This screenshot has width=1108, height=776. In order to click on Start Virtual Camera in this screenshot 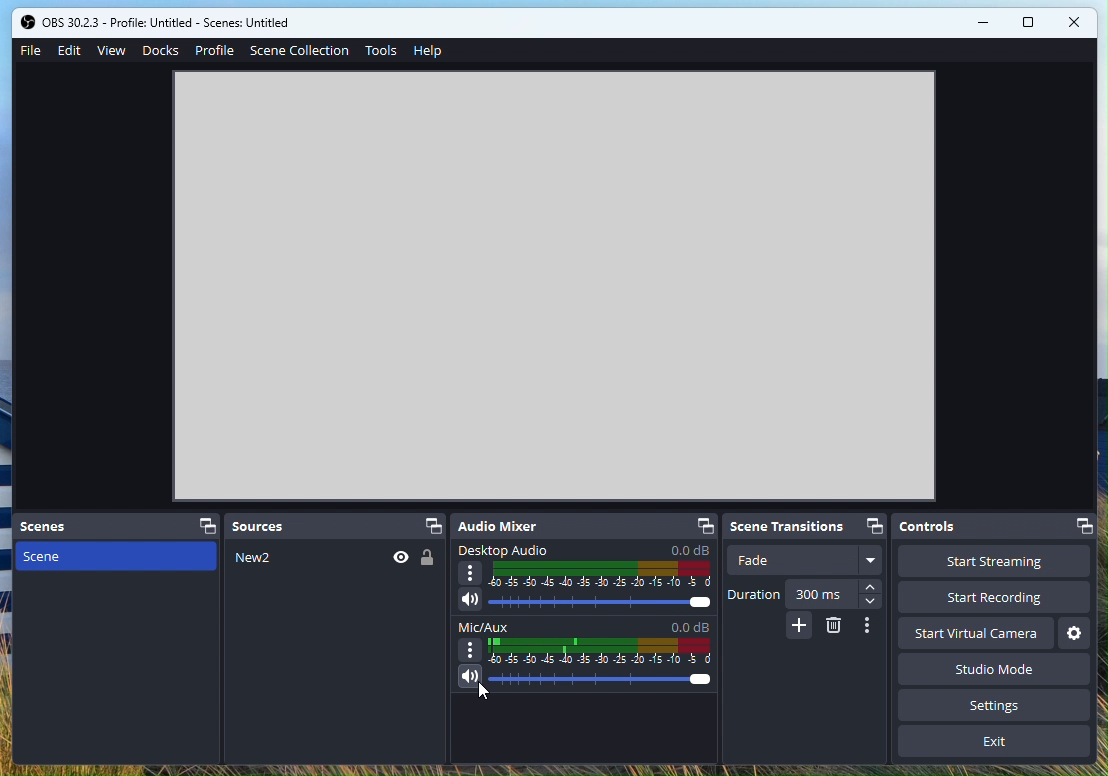, I will do `click(976, 634)`.